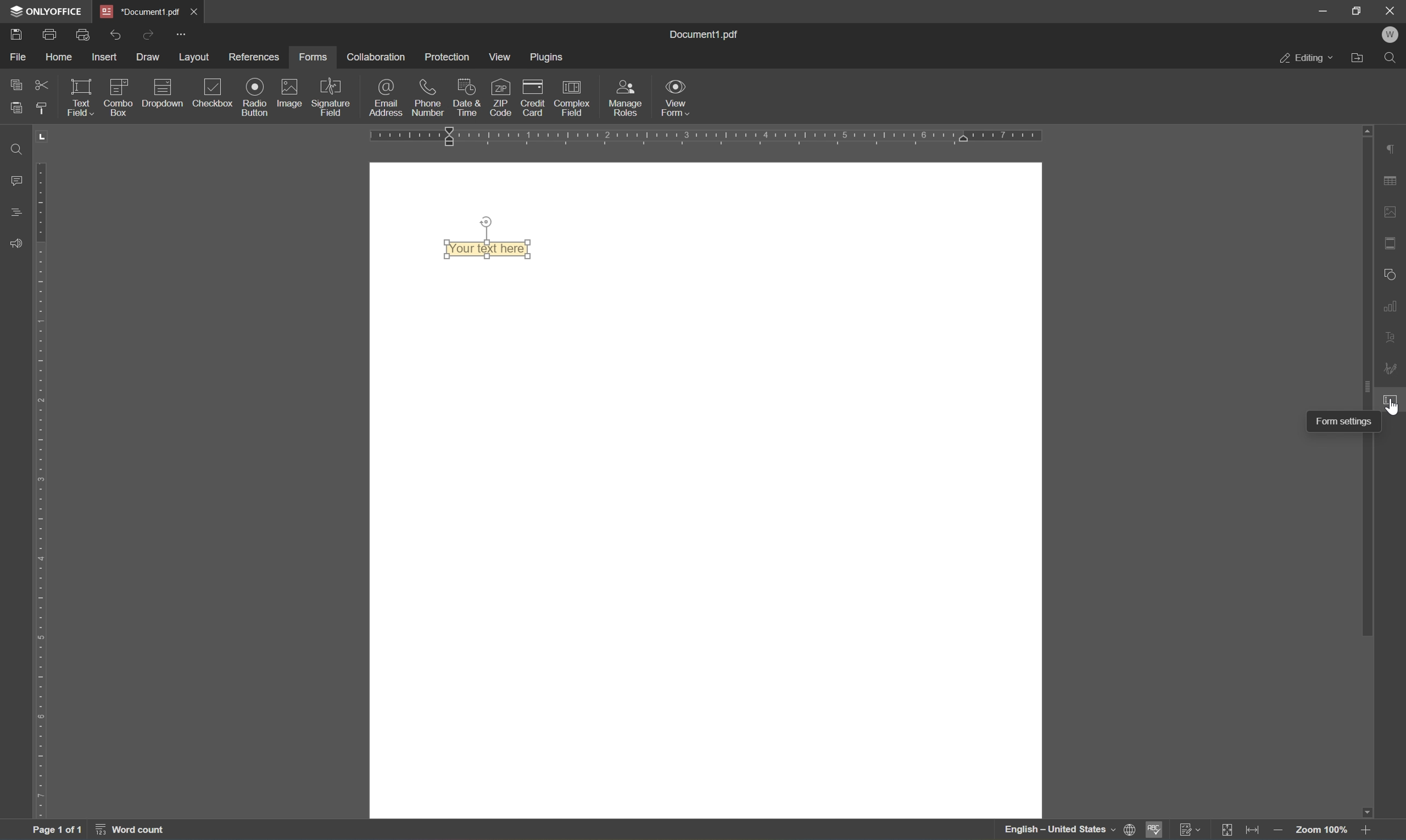 Image resolution: width=1406 pixels, height=840 pixels. Describe the element at coordinates (1395, 406) in the screenshot. I see `cursor` at that location.